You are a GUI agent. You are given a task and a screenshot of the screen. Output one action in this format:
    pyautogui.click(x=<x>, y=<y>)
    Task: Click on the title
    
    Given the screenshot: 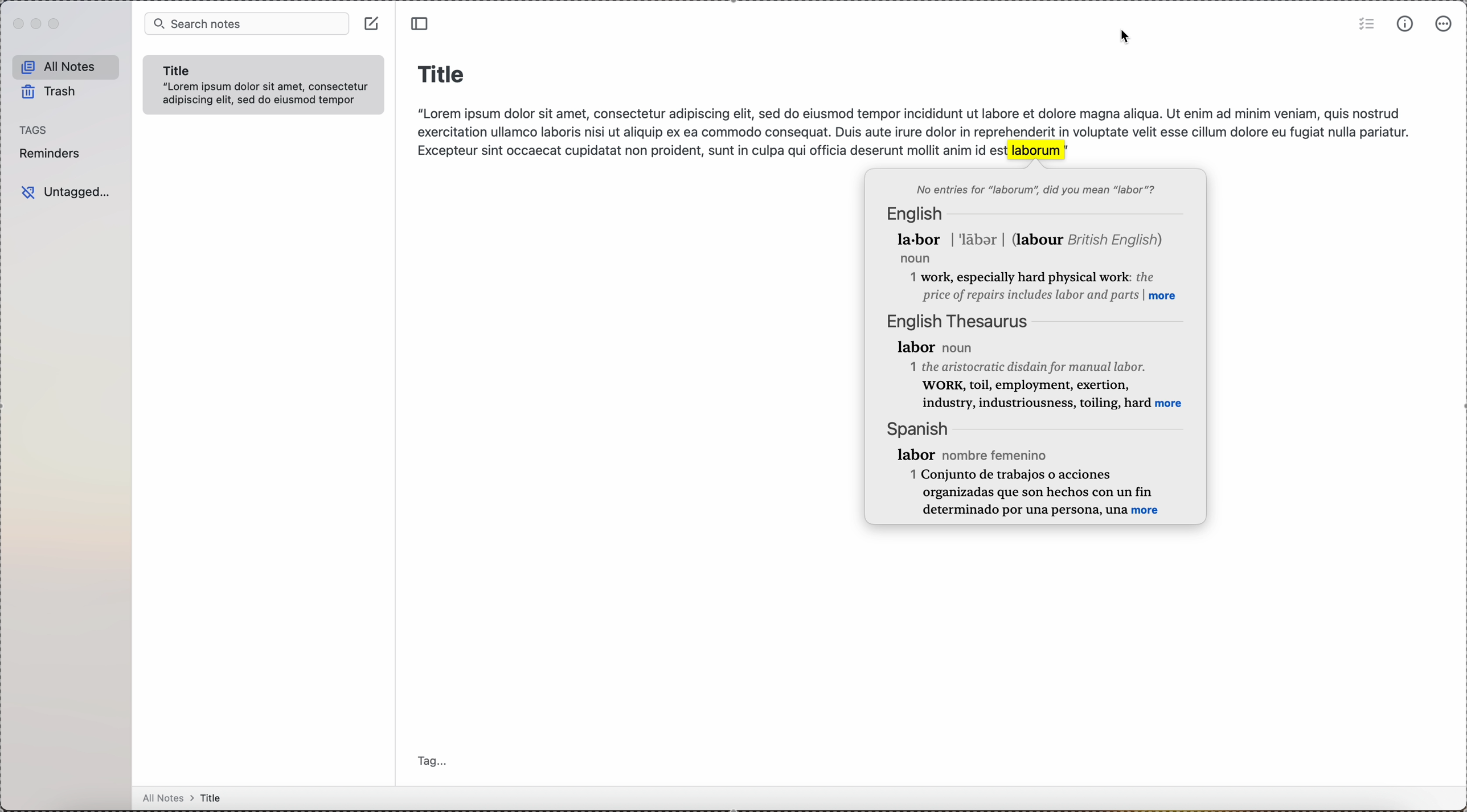 What is the action you would take?
    pyautogui.click(x=442, y=72)
    